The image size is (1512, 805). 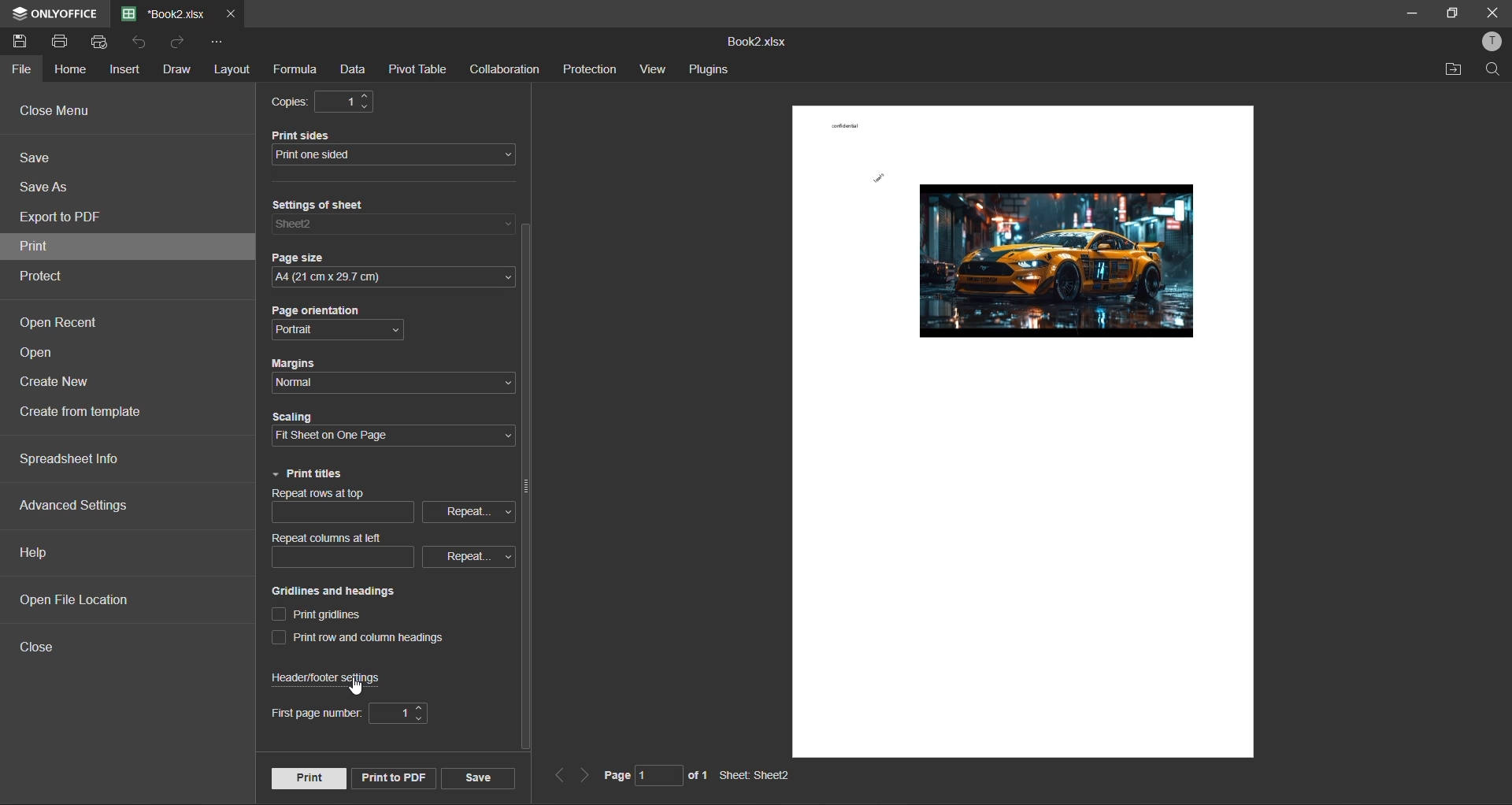 What do you see at coordinates (313, 474) in the screenshot?
I see `print titles` at bounding box center [313, 474].